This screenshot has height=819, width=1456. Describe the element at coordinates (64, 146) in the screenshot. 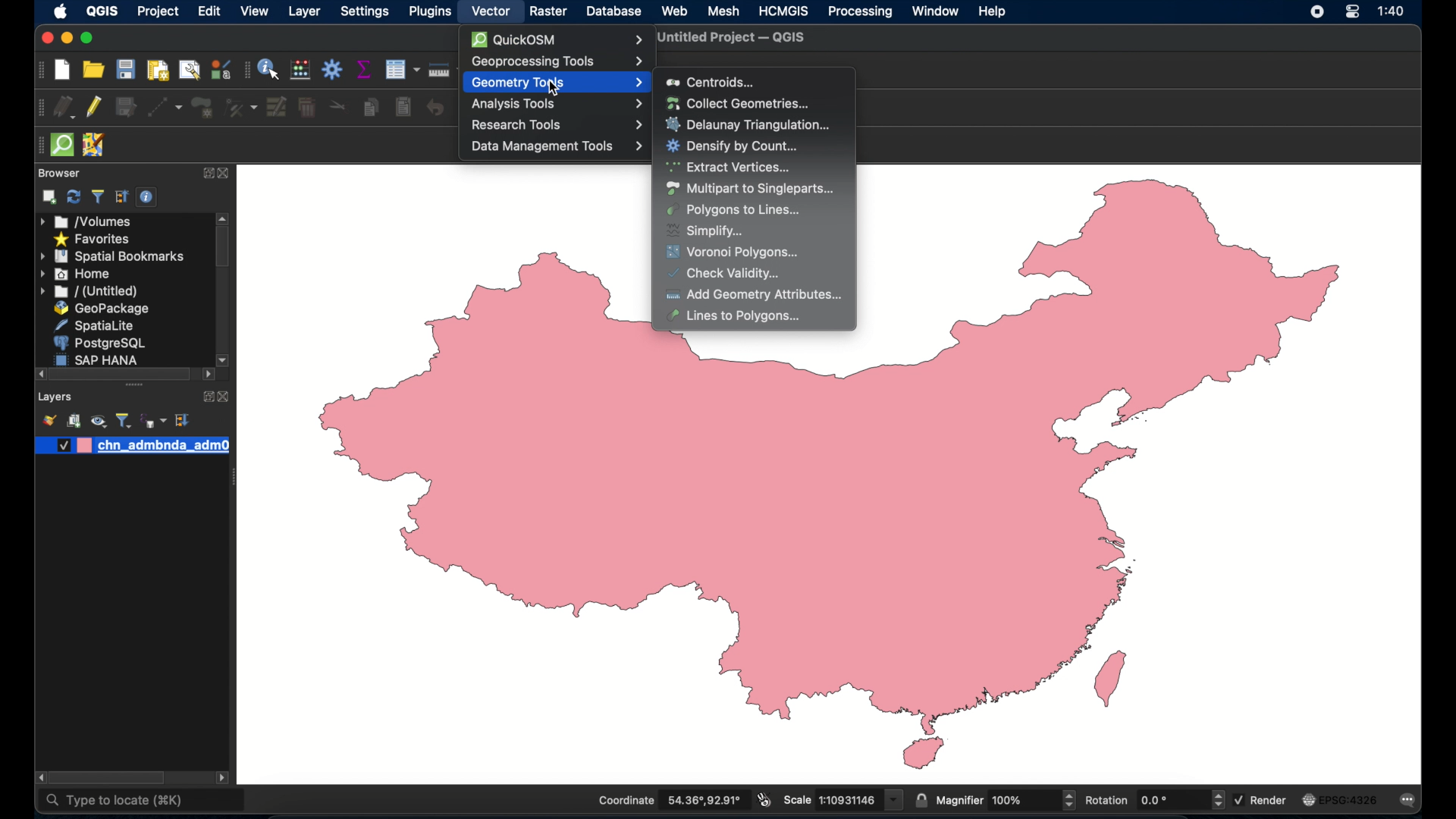

I see `quick osm` at that location.